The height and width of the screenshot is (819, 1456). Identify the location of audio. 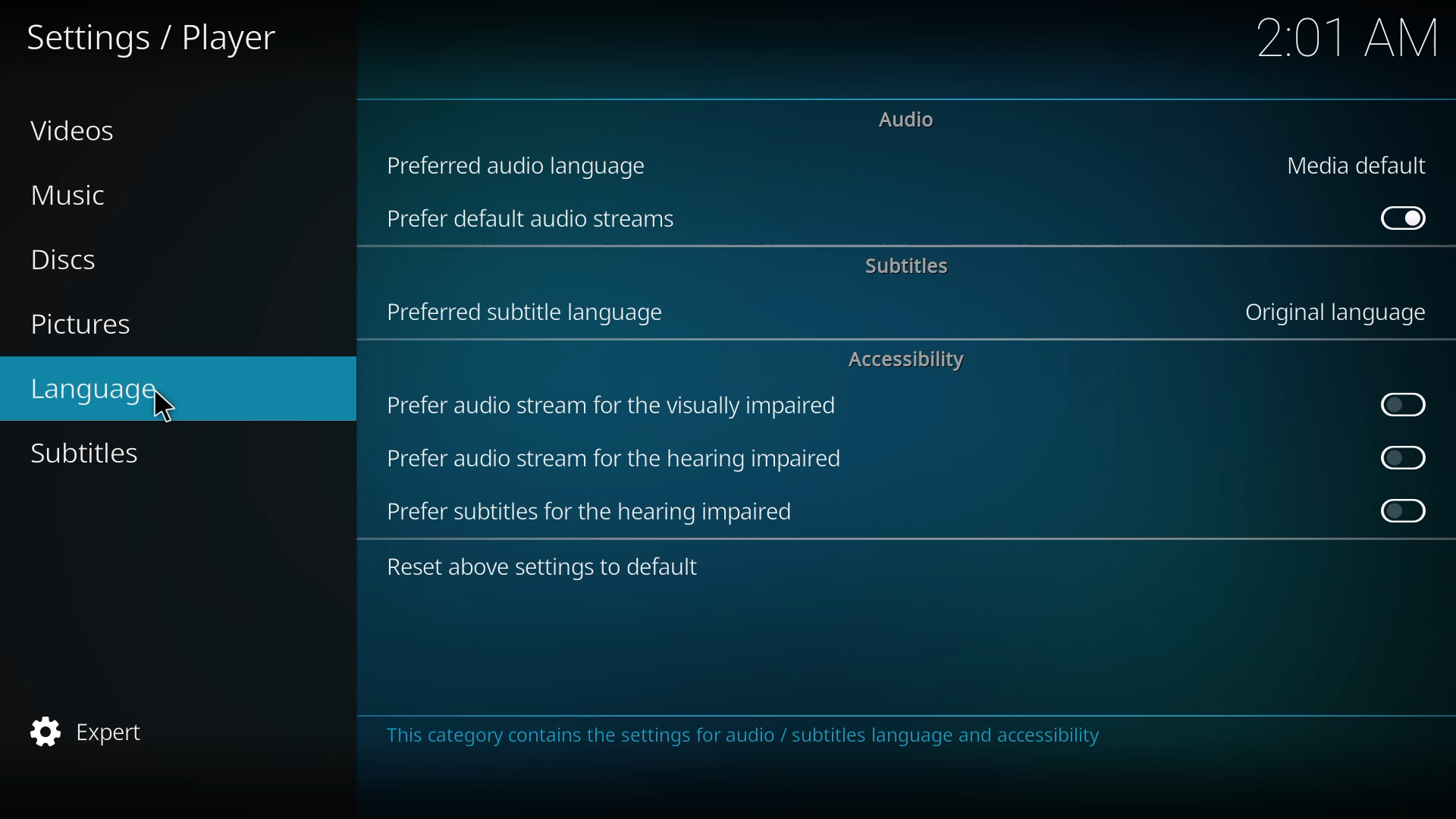
(911, 118).